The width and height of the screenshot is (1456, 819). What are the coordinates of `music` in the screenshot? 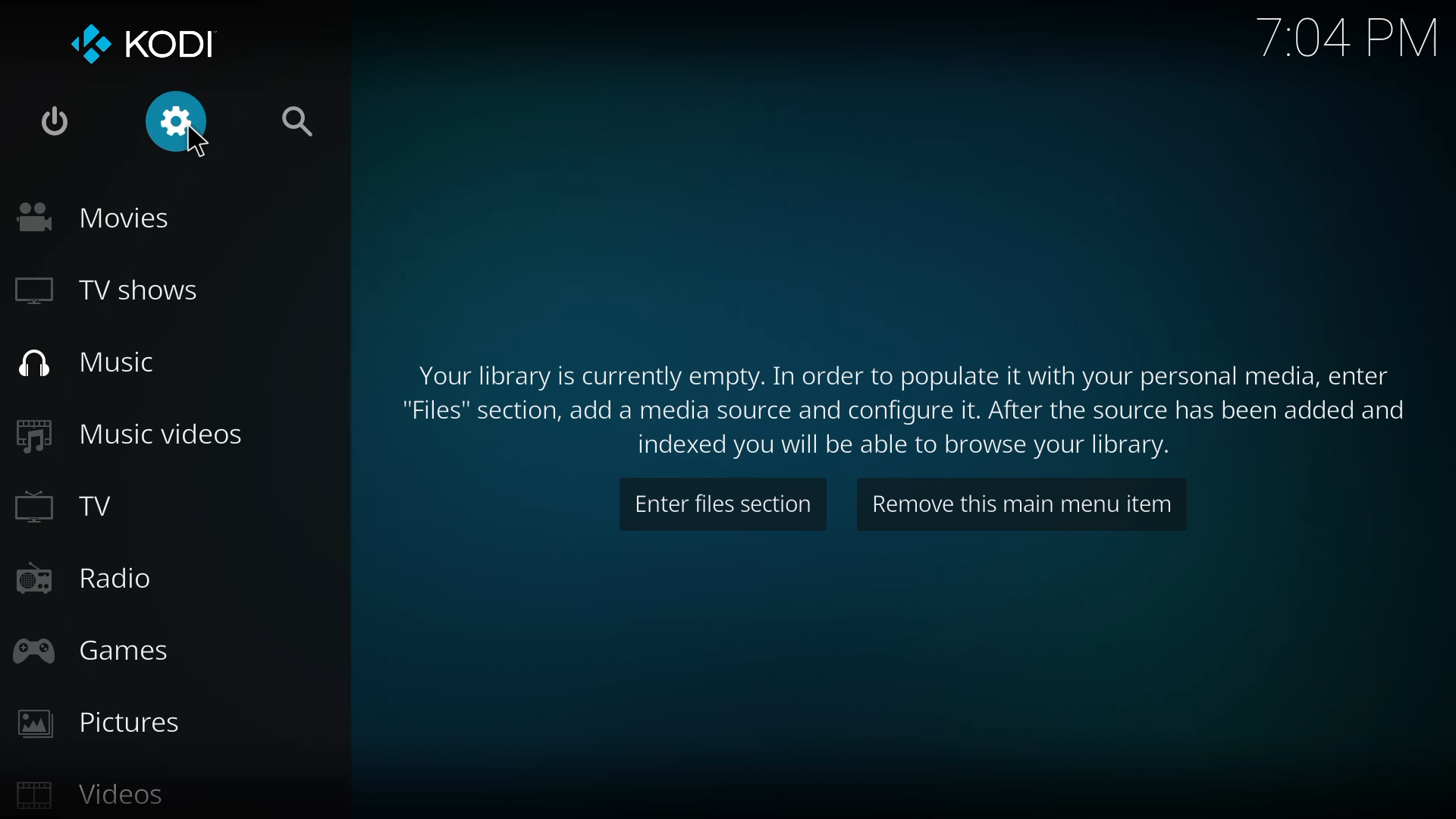 It's located at (86, 362).